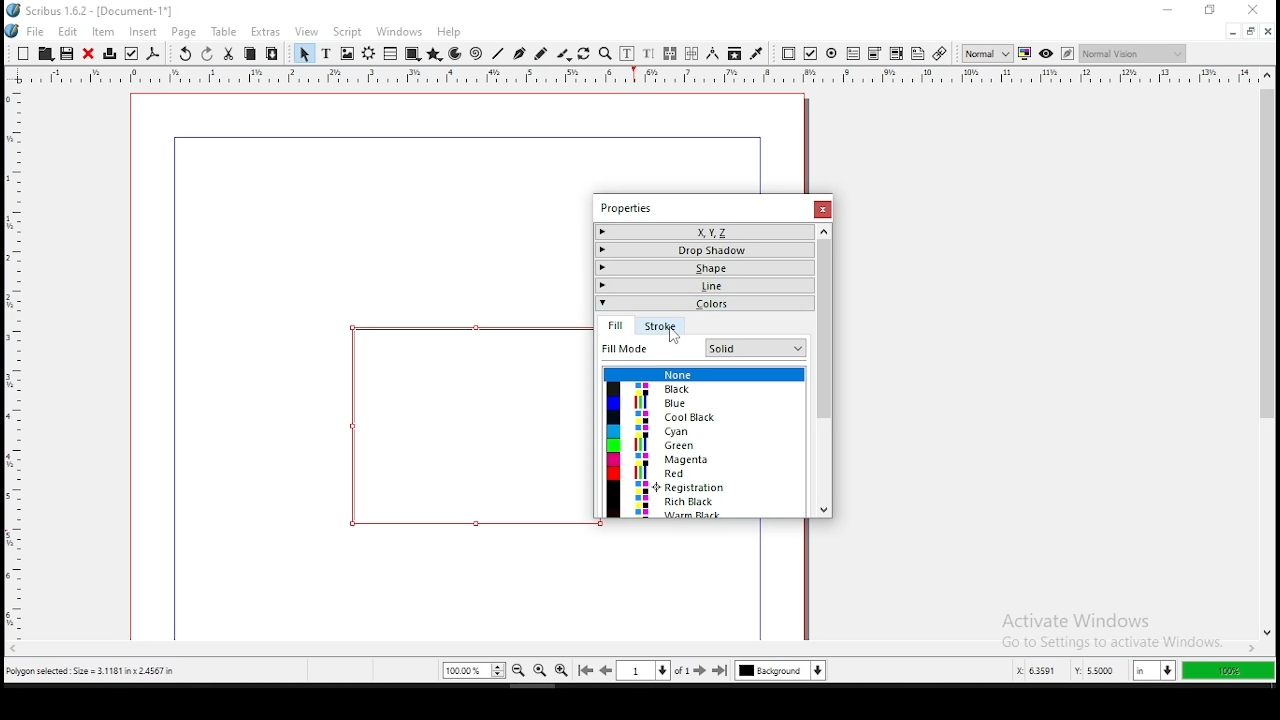 Image resolution: width=1280 pixels, height=720 pixels. What do you see at coordinates (693, 54) in the screenshot?
I see `unlink text frames` at bounding box center [693, 54].